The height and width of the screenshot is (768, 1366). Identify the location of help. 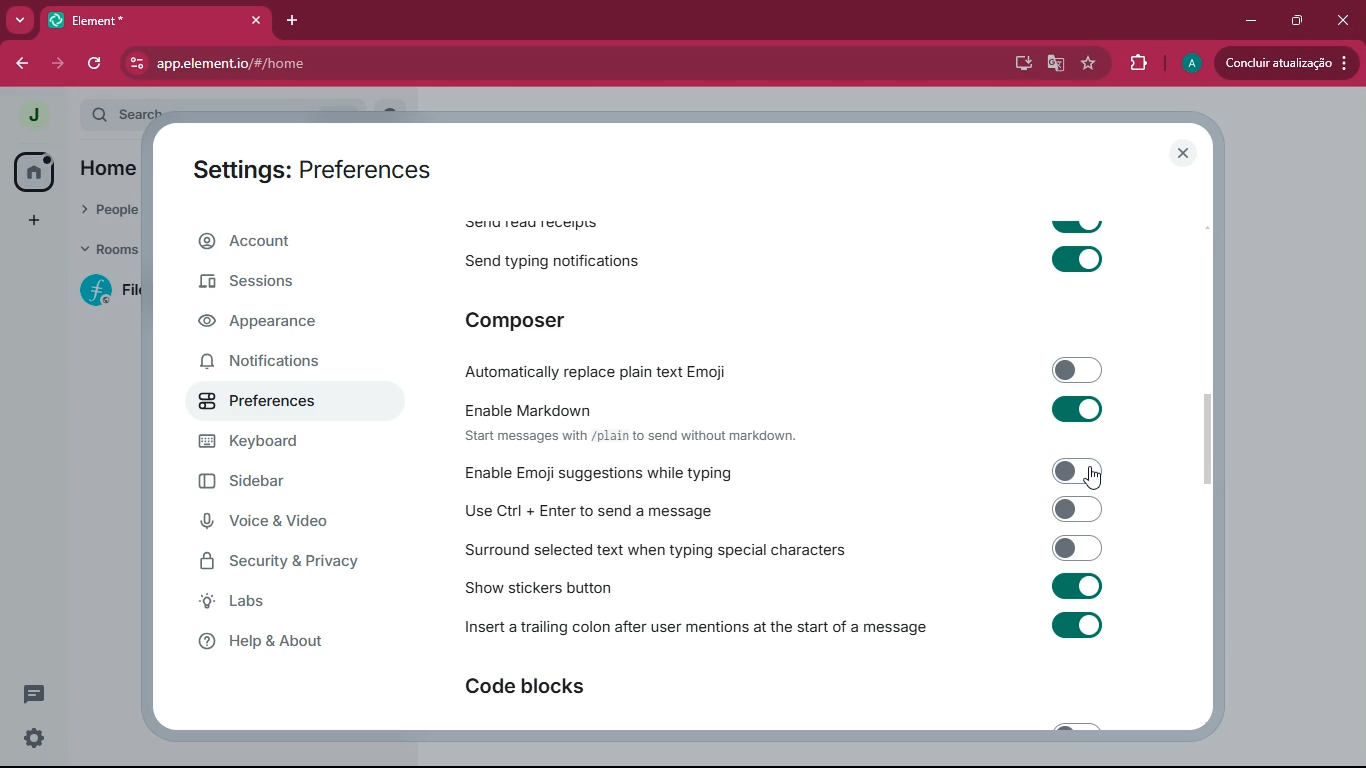
(277, 641).